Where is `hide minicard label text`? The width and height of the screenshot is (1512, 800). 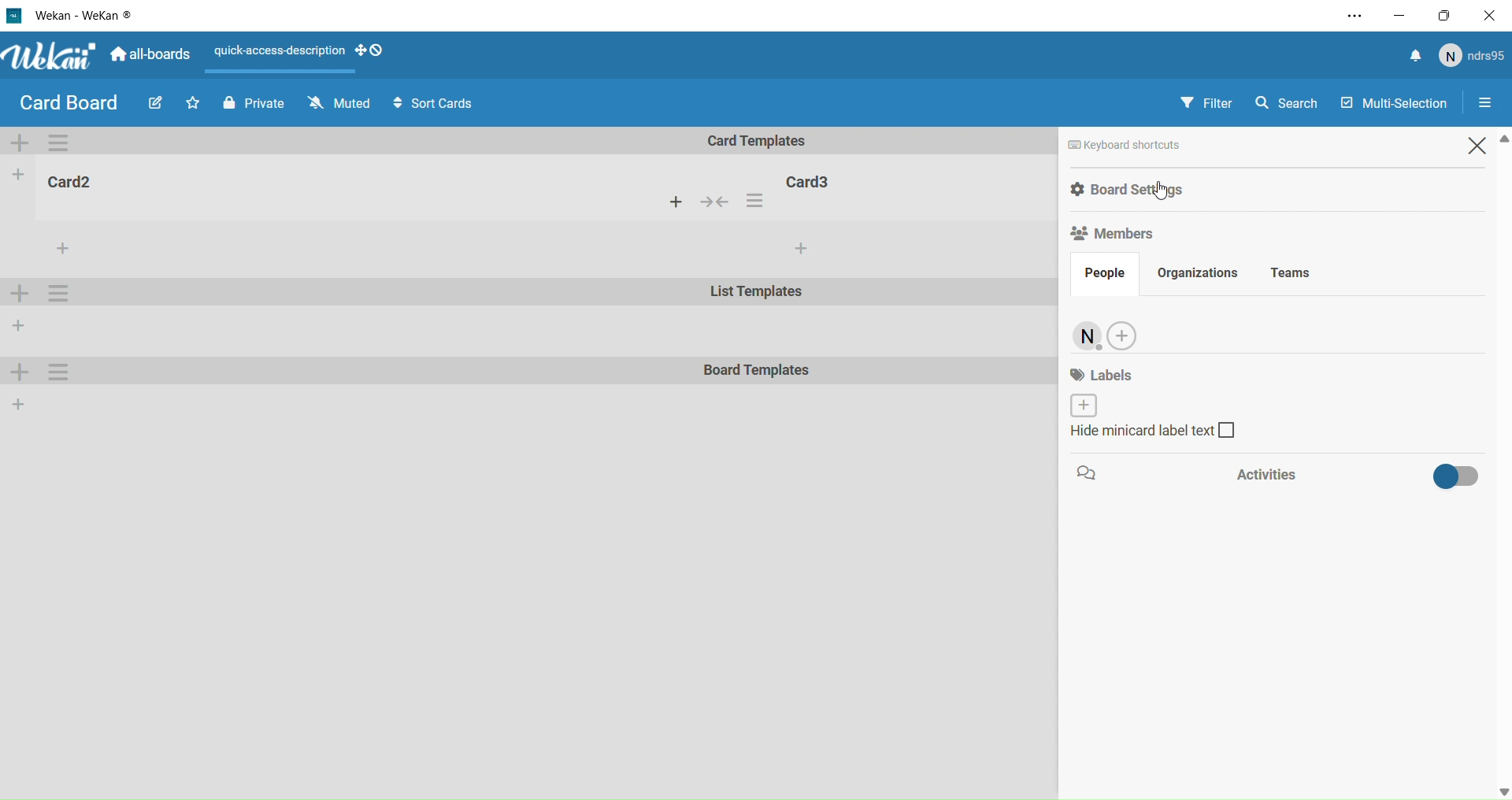 hide minicard label text is located at coordinates (1152, 433).